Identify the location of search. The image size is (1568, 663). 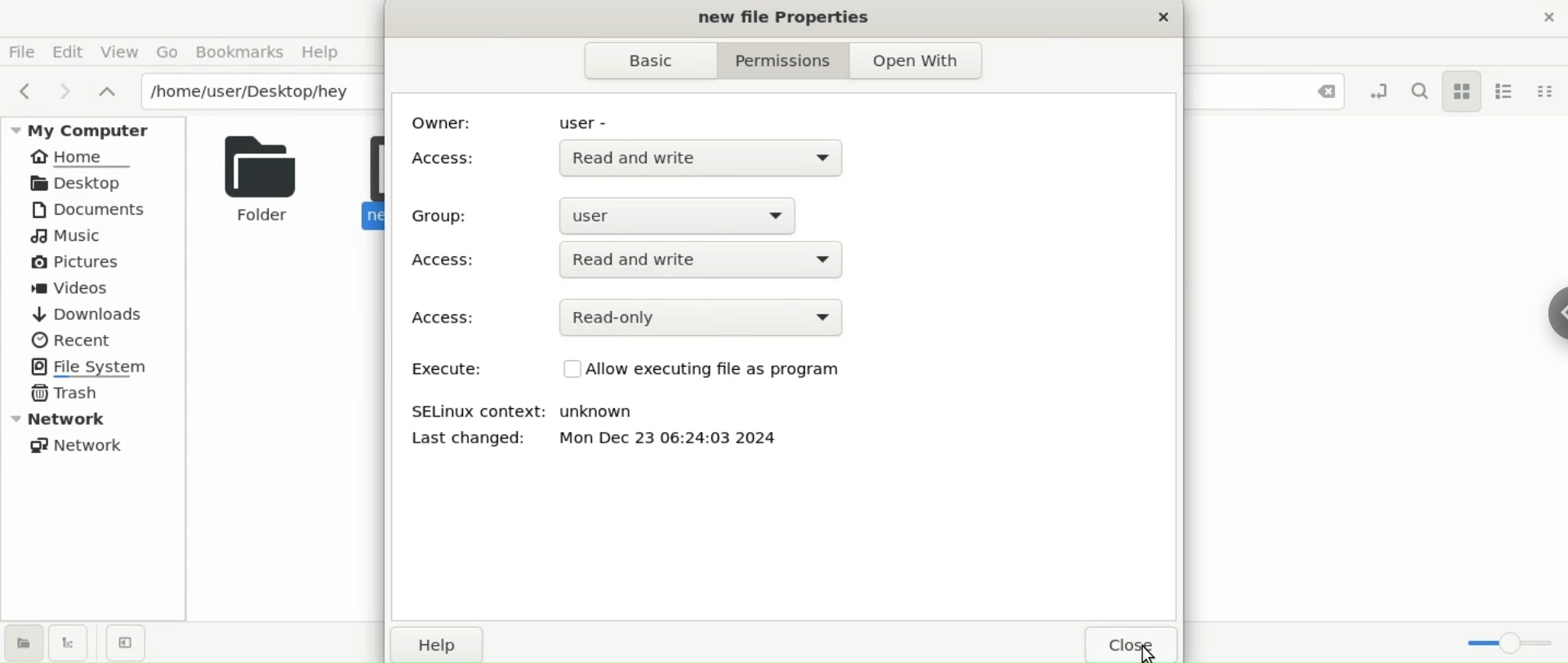
(1423, 89).